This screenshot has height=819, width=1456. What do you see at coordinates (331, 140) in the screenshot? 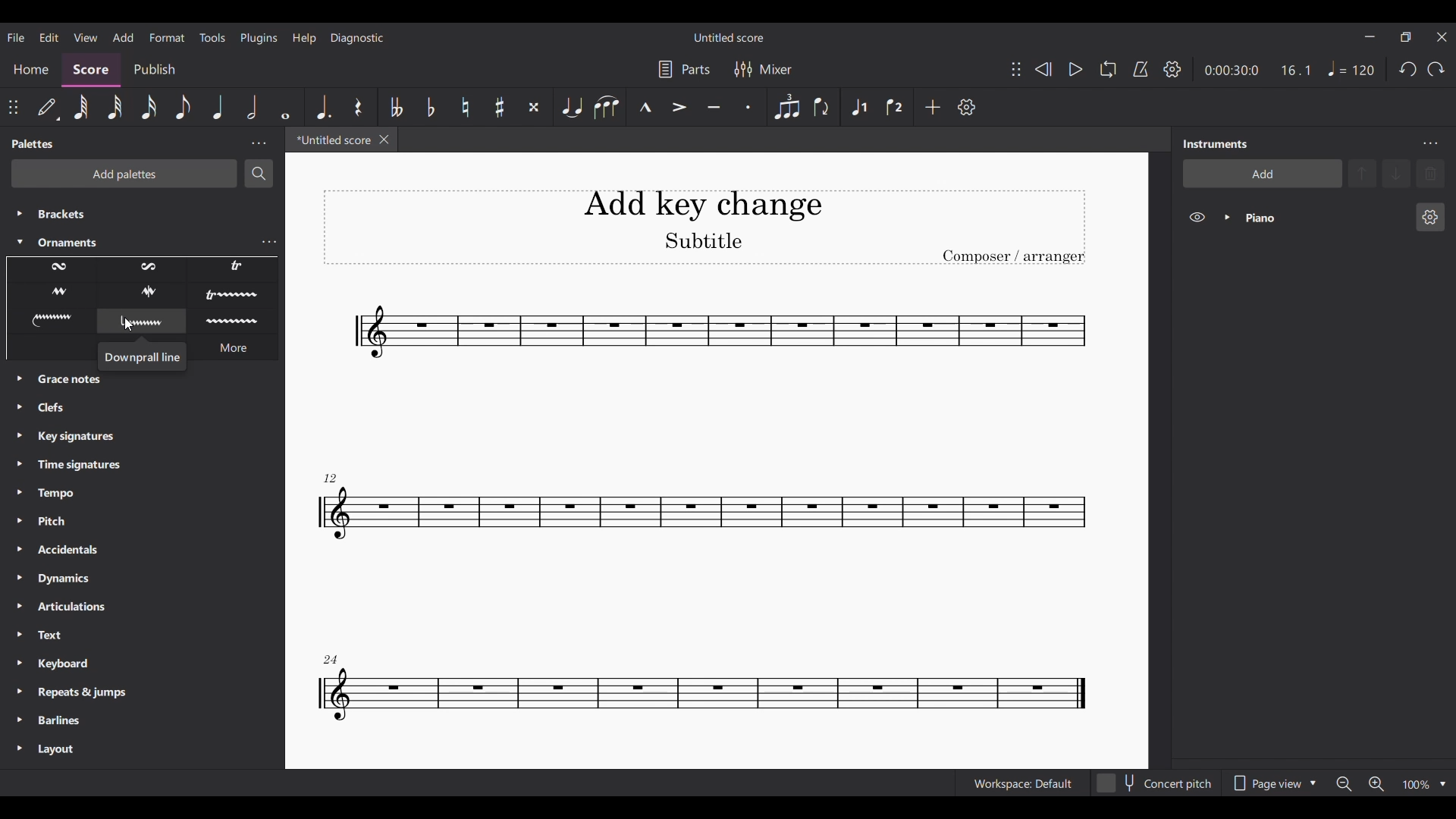
I see `Current tab` at bounding box center [331, 140].